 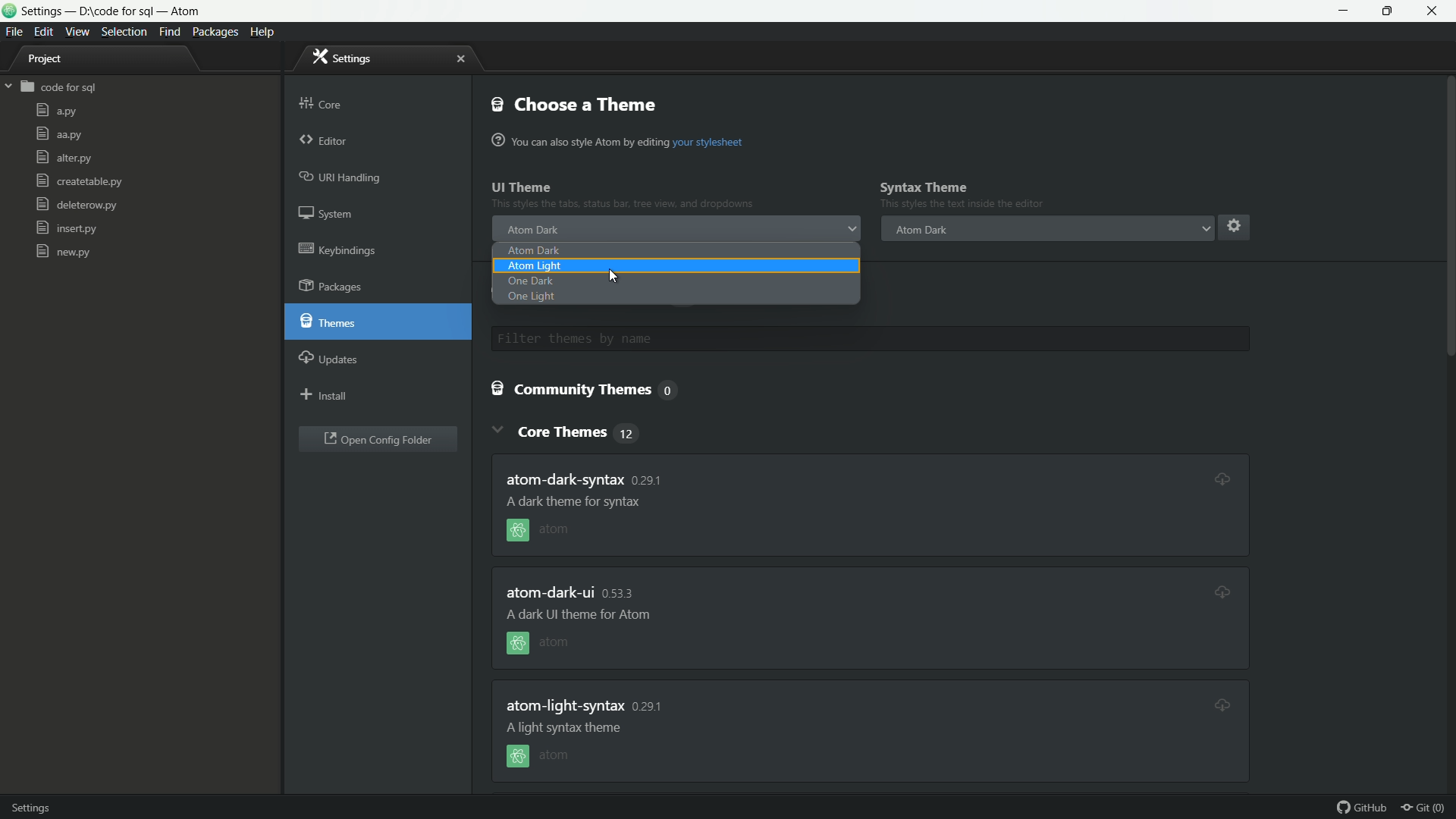 I want to click on atom light syntax, so click(x=585, y=704).